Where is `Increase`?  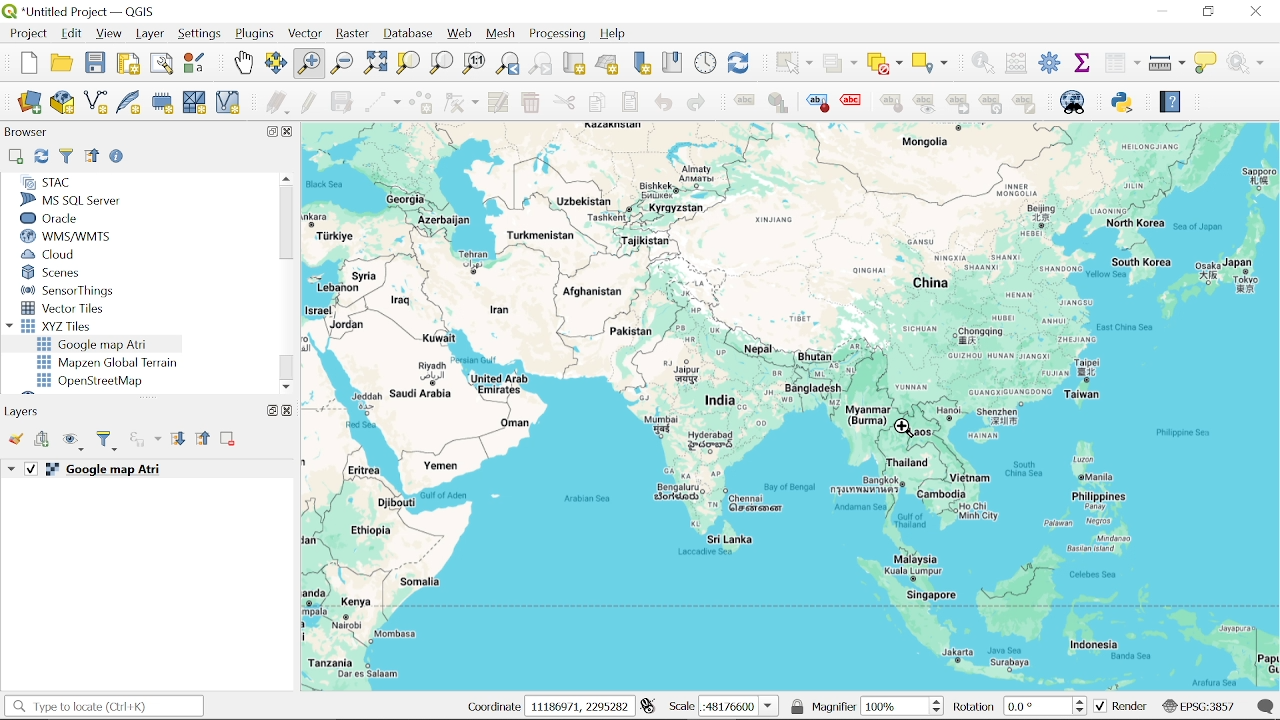
Increase is located at coordinates (940, 699).